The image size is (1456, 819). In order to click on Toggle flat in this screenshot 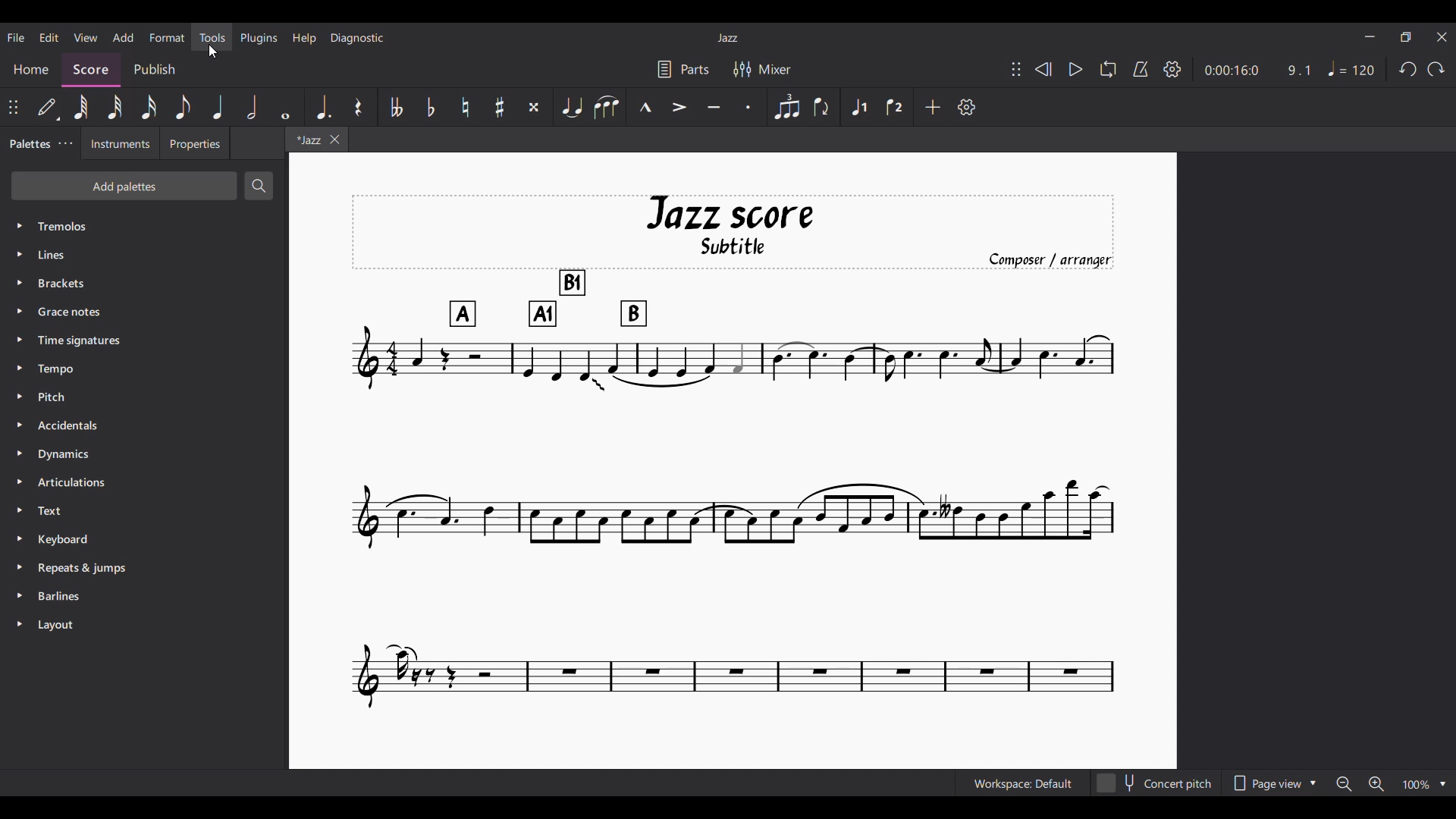, I will do `click(431, 107)`.